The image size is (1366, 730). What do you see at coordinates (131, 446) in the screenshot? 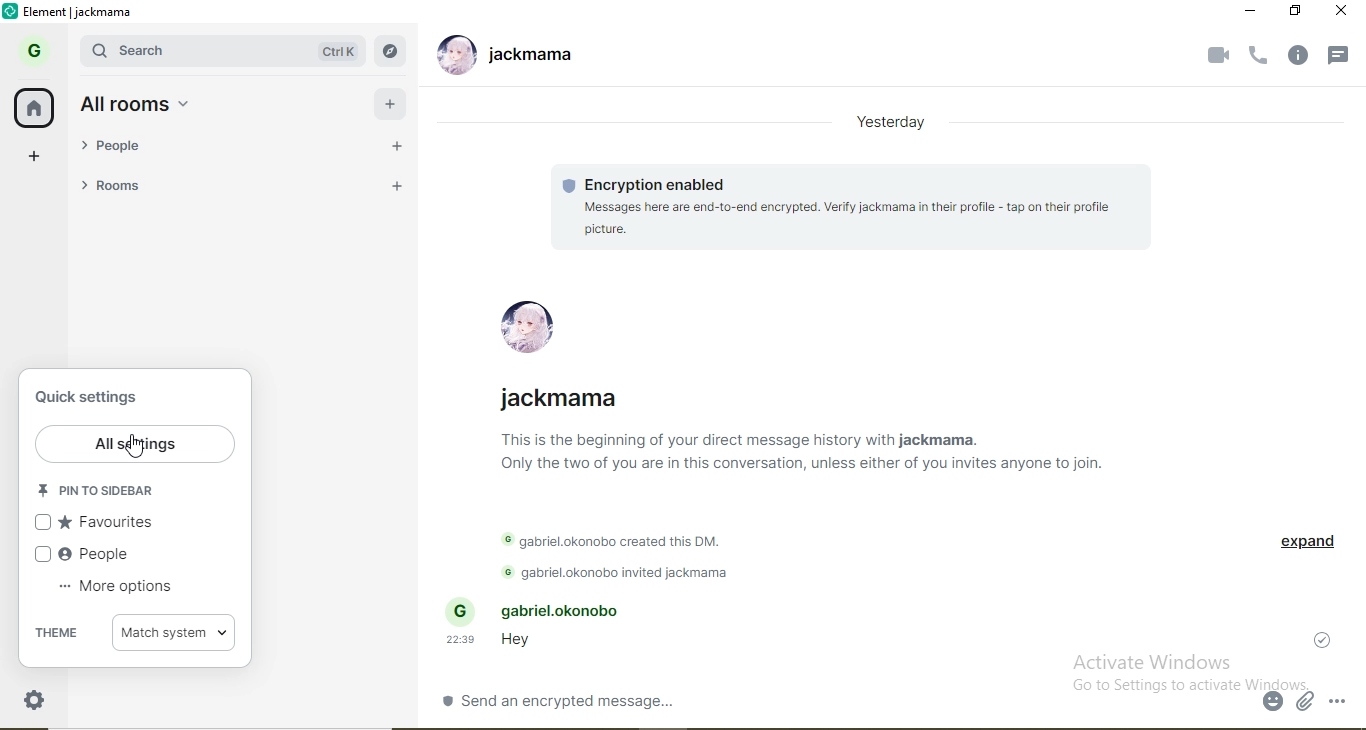
I see `cursor` at bounding box center [131, 446].